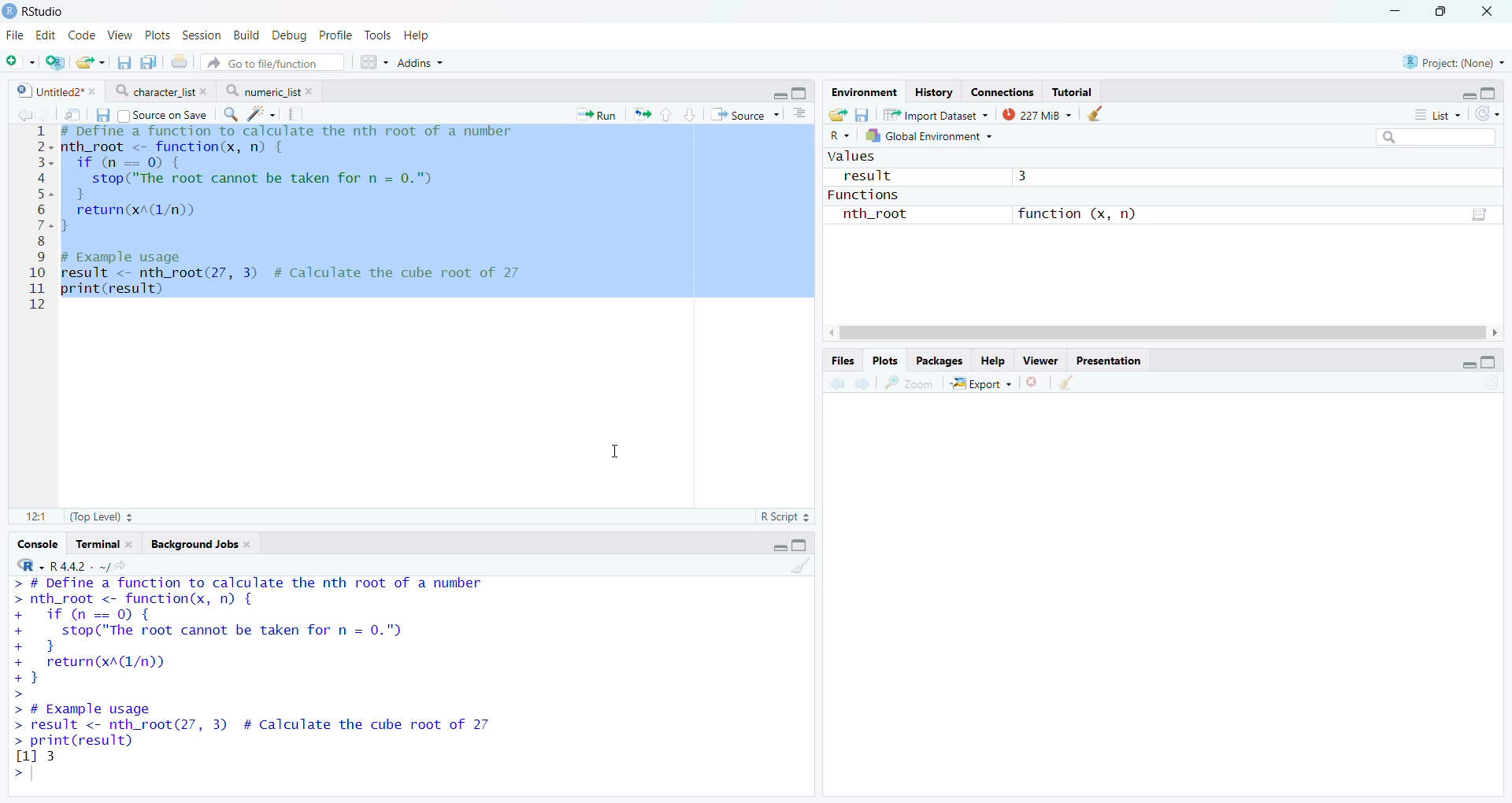 This screenshot has height=803, width=1512. I want to click on numeric_list, so click(269, 91).